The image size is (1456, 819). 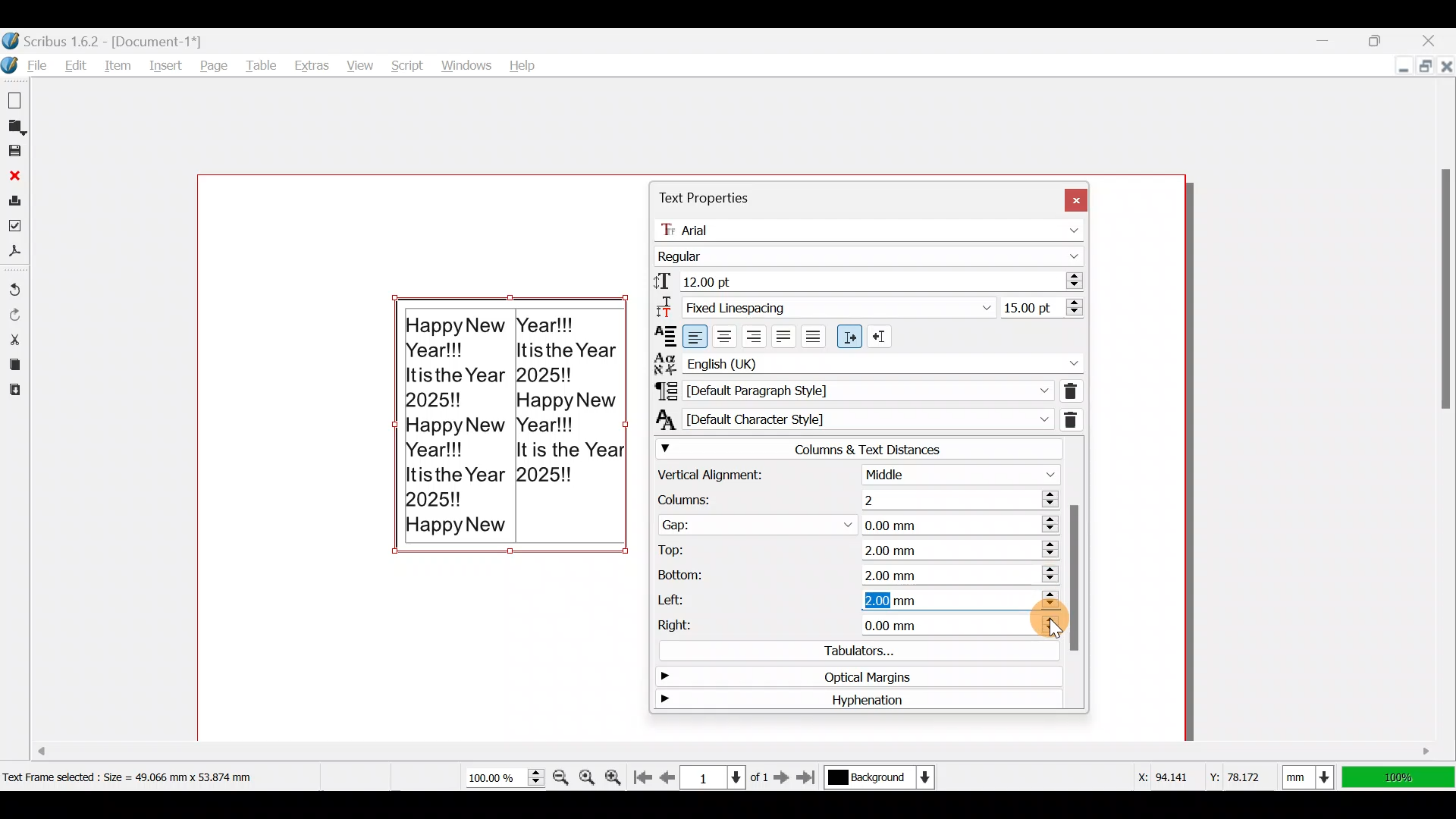 What do you see at coordinates (851, 419) in the screenshot?
I see `Character style of currently selected text/paragraph` at bounding box center [851, 419].